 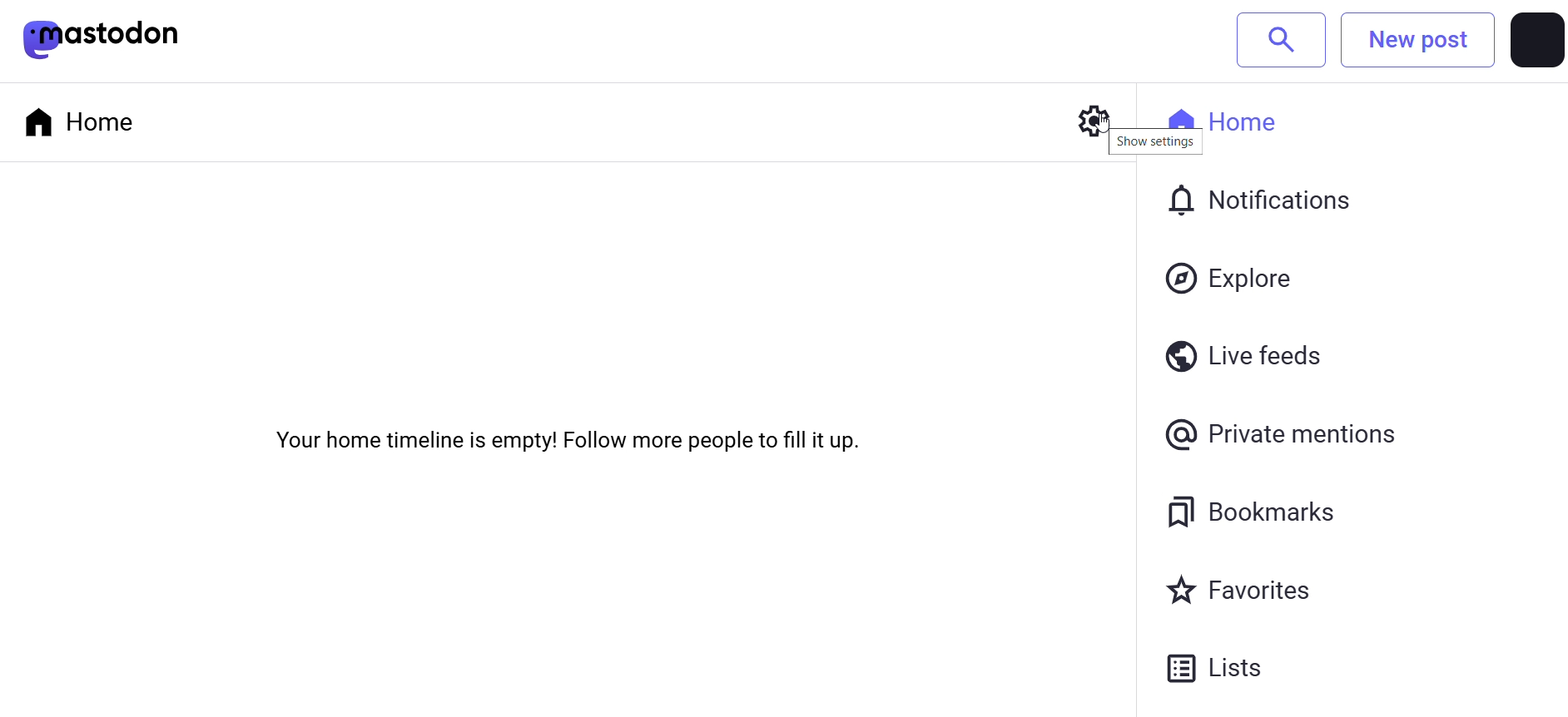 I want to click on private mention, so click(x=1290, y=433).